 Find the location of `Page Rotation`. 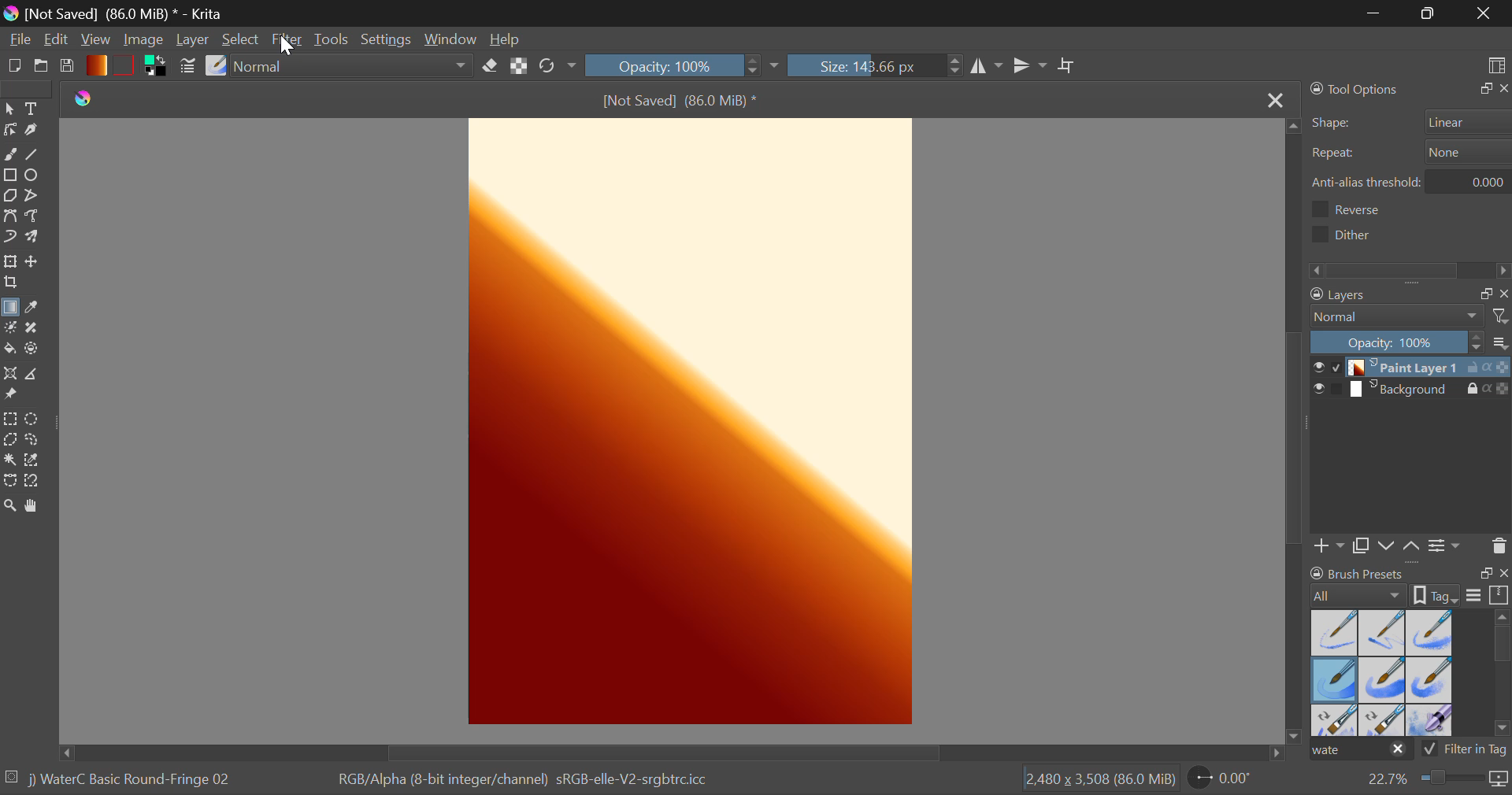

Page Rotation is located at coordinates (1228, 780).